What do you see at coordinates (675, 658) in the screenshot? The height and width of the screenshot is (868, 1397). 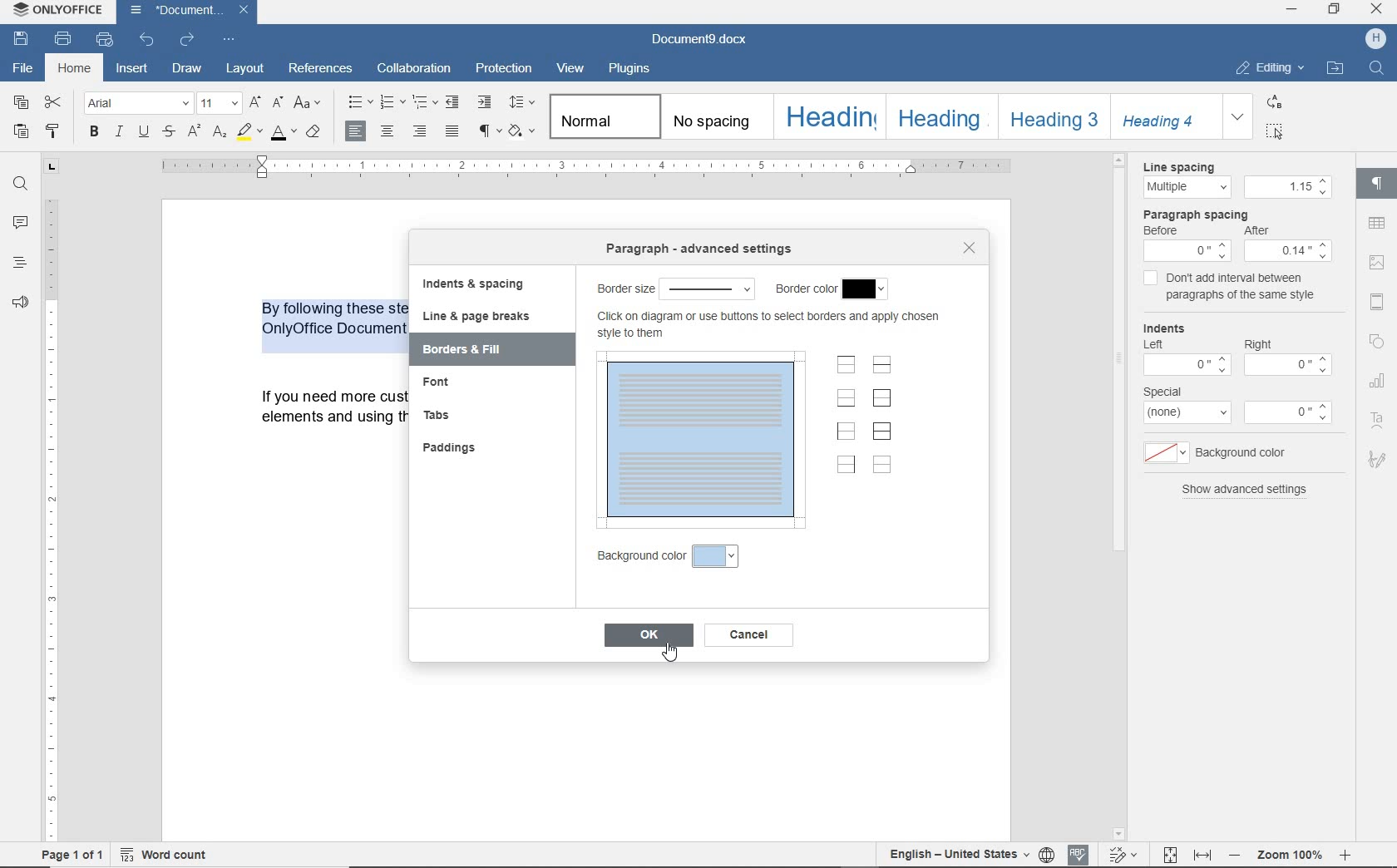 I see `cursor` at bounding box center [675, 658].